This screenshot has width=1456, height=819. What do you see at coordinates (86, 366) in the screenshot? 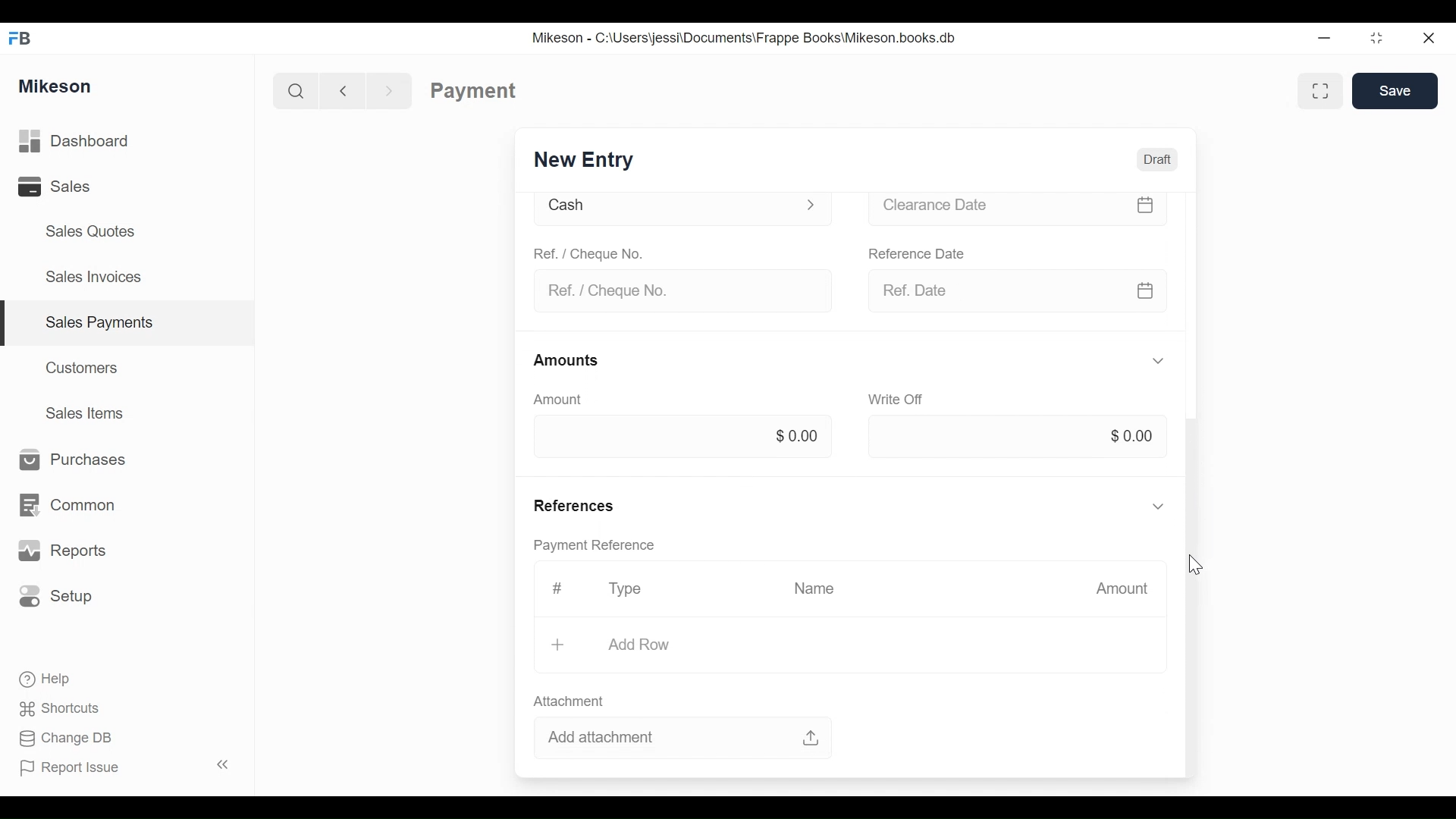
I see `Customers` at bounding box center [86, 366].